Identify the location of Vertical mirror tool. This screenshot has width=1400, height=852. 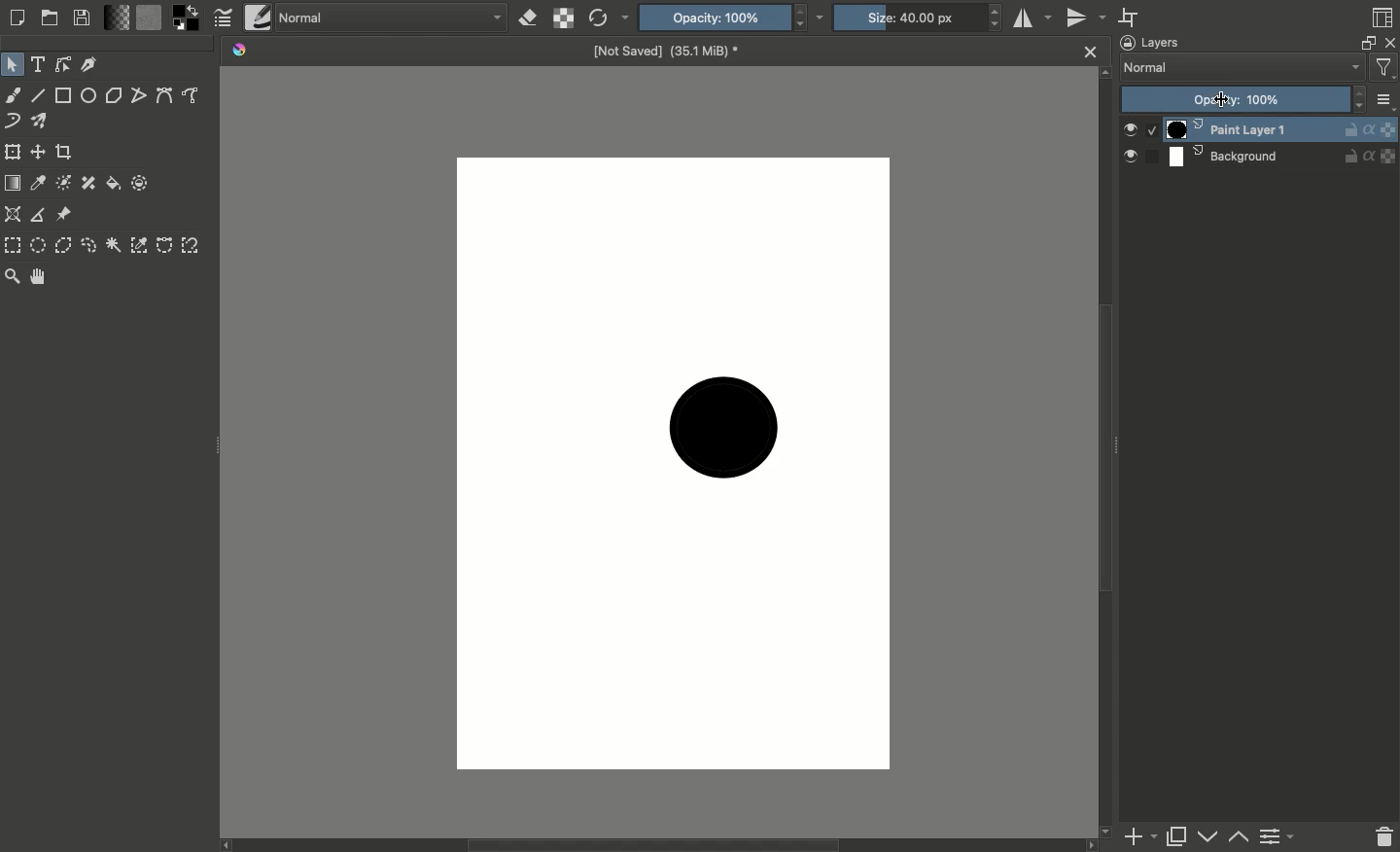
(1087, 18).